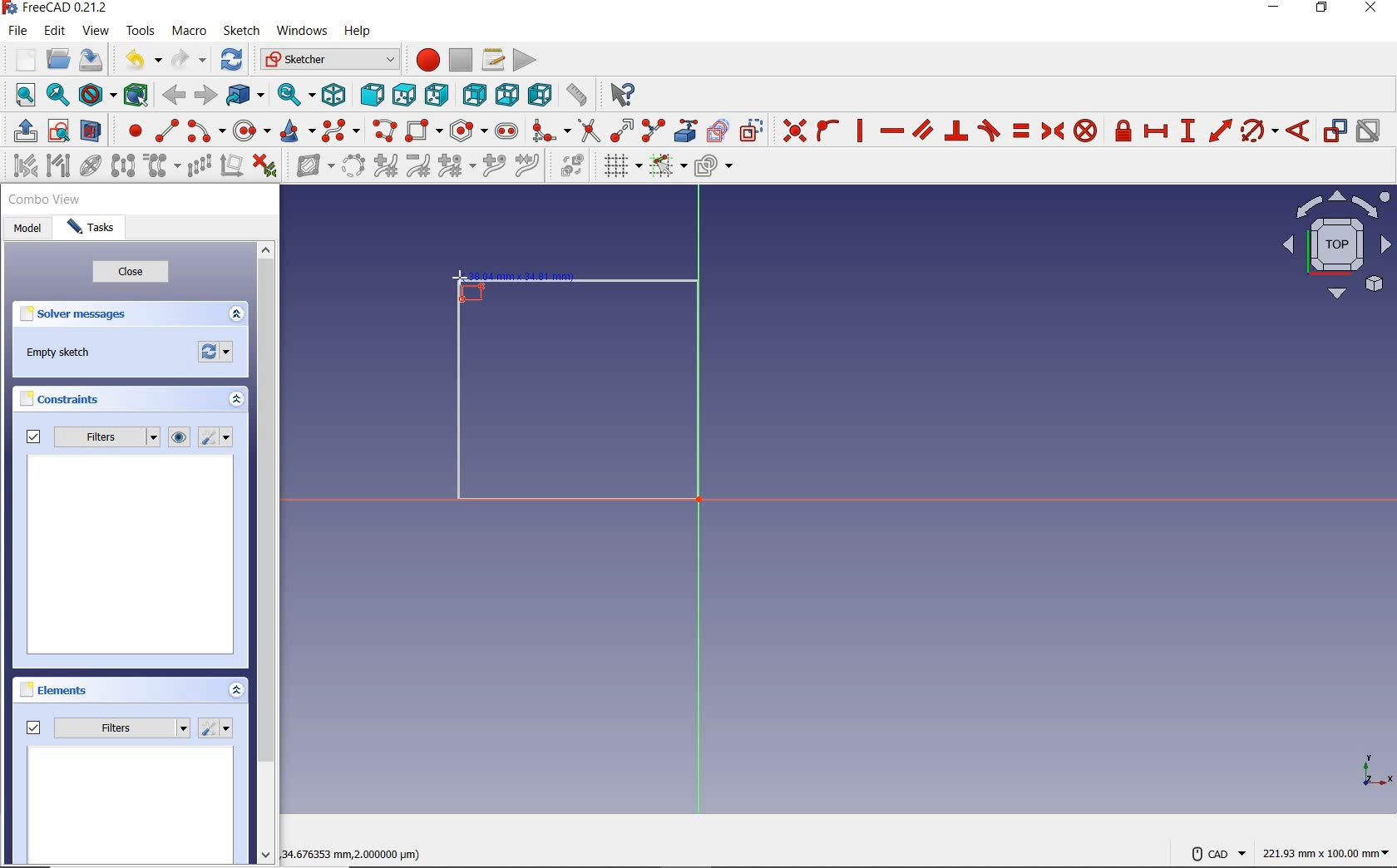 Image resolution: width=1397 pixels, height=868 pixels. What do you see at coordinates (217, 728) in the screenshot?
I see `settings` at bounding box center [217, 728].